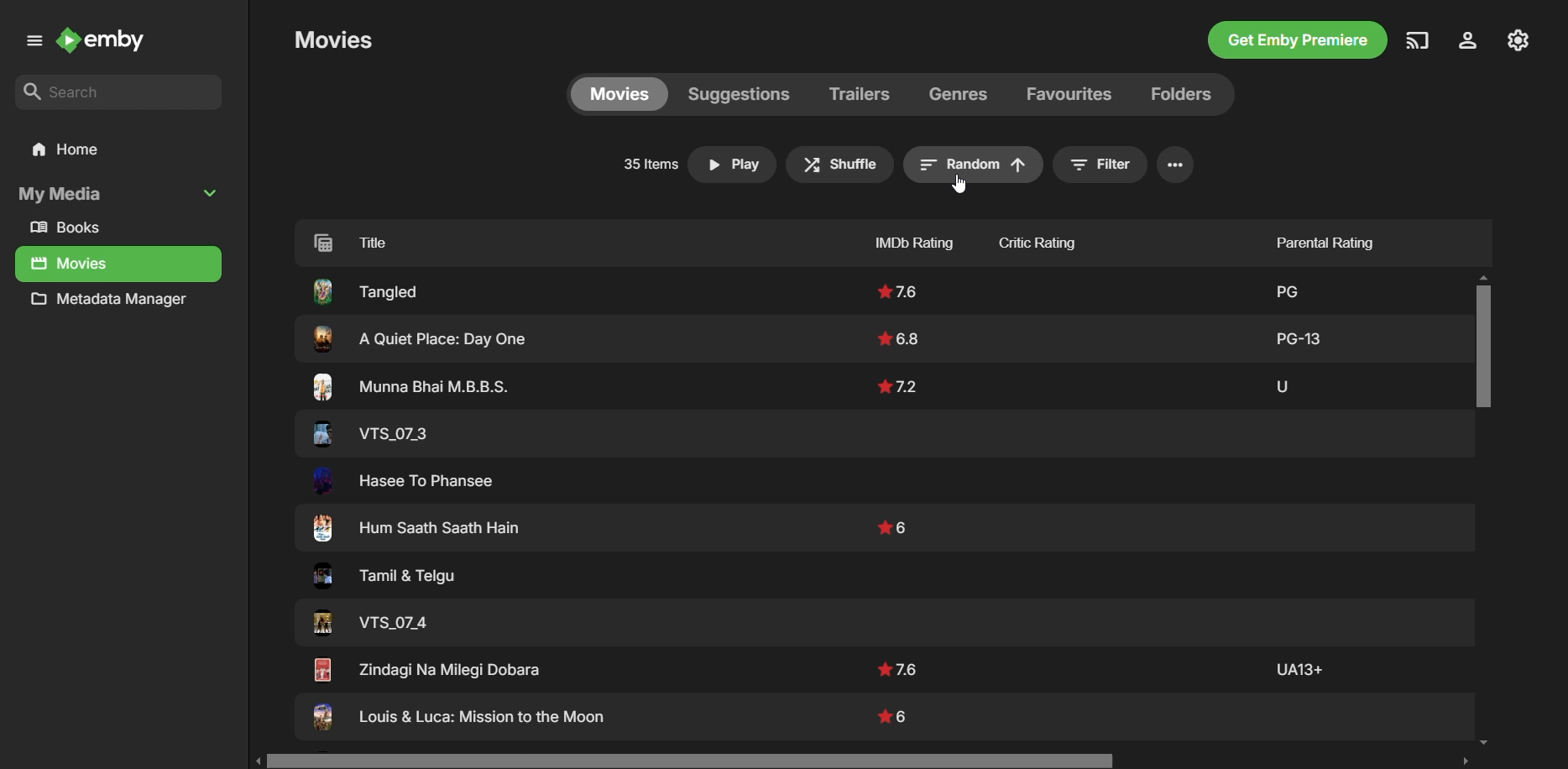  What do you see at coordinates (64, 193) in the screenshot?
I see `` at bounding box center [64, 193].